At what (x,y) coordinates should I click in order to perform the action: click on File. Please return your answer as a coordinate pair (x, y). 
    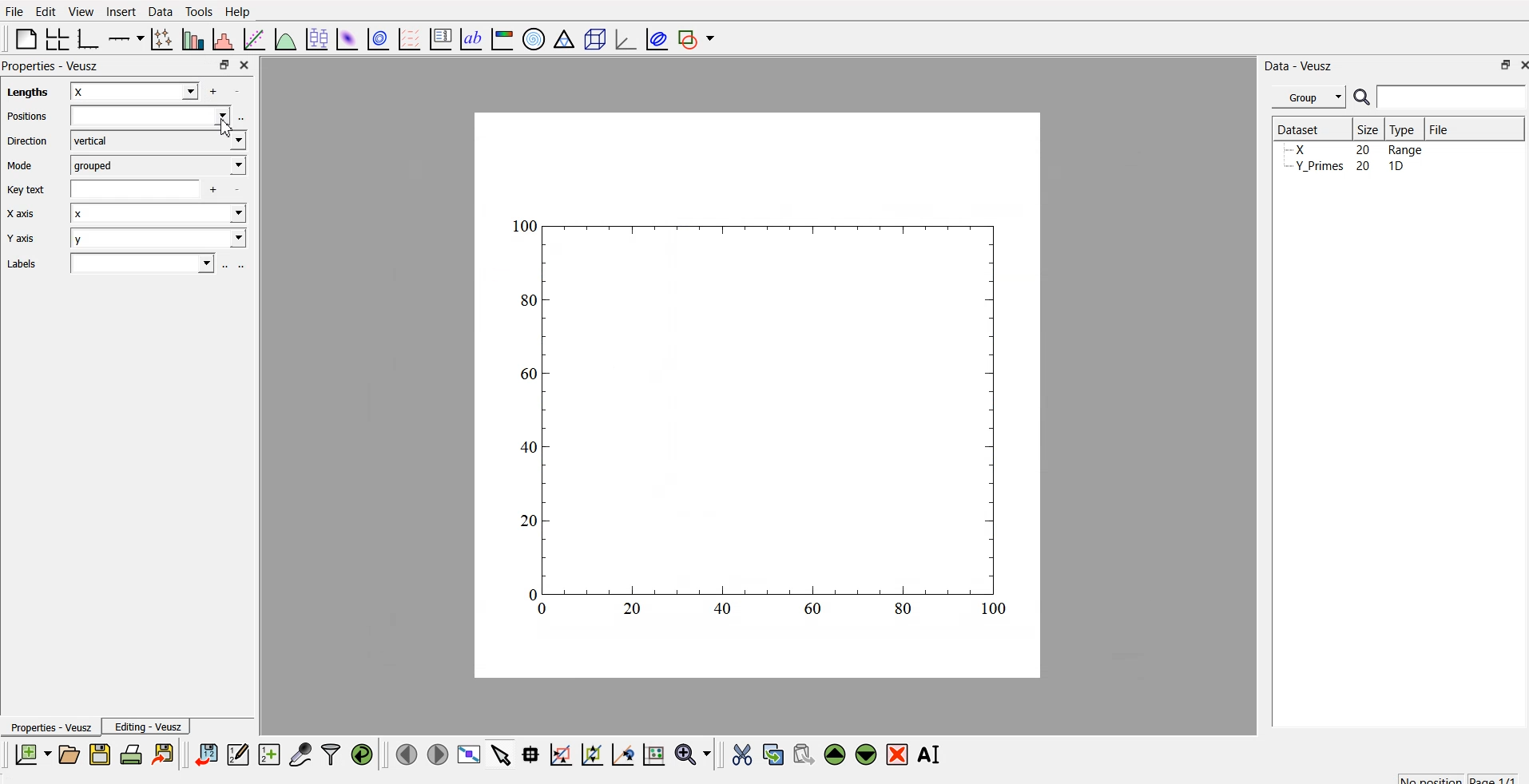
    Looking at the image, I should click on (1438, 127).